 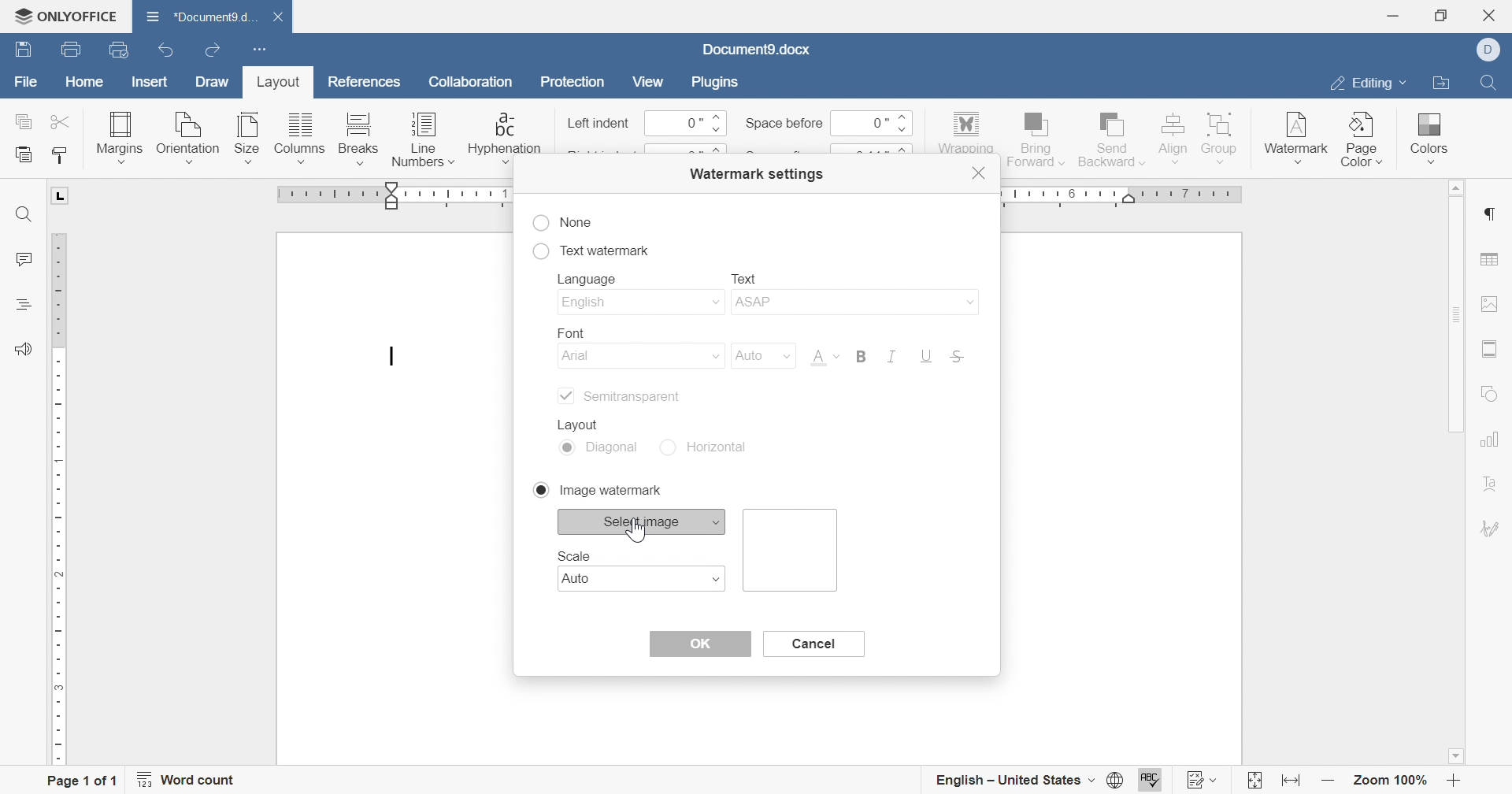 What do you see at coordinates (642, 358) in the screenshot?
I see `arial` at bounding box center [642, 358].